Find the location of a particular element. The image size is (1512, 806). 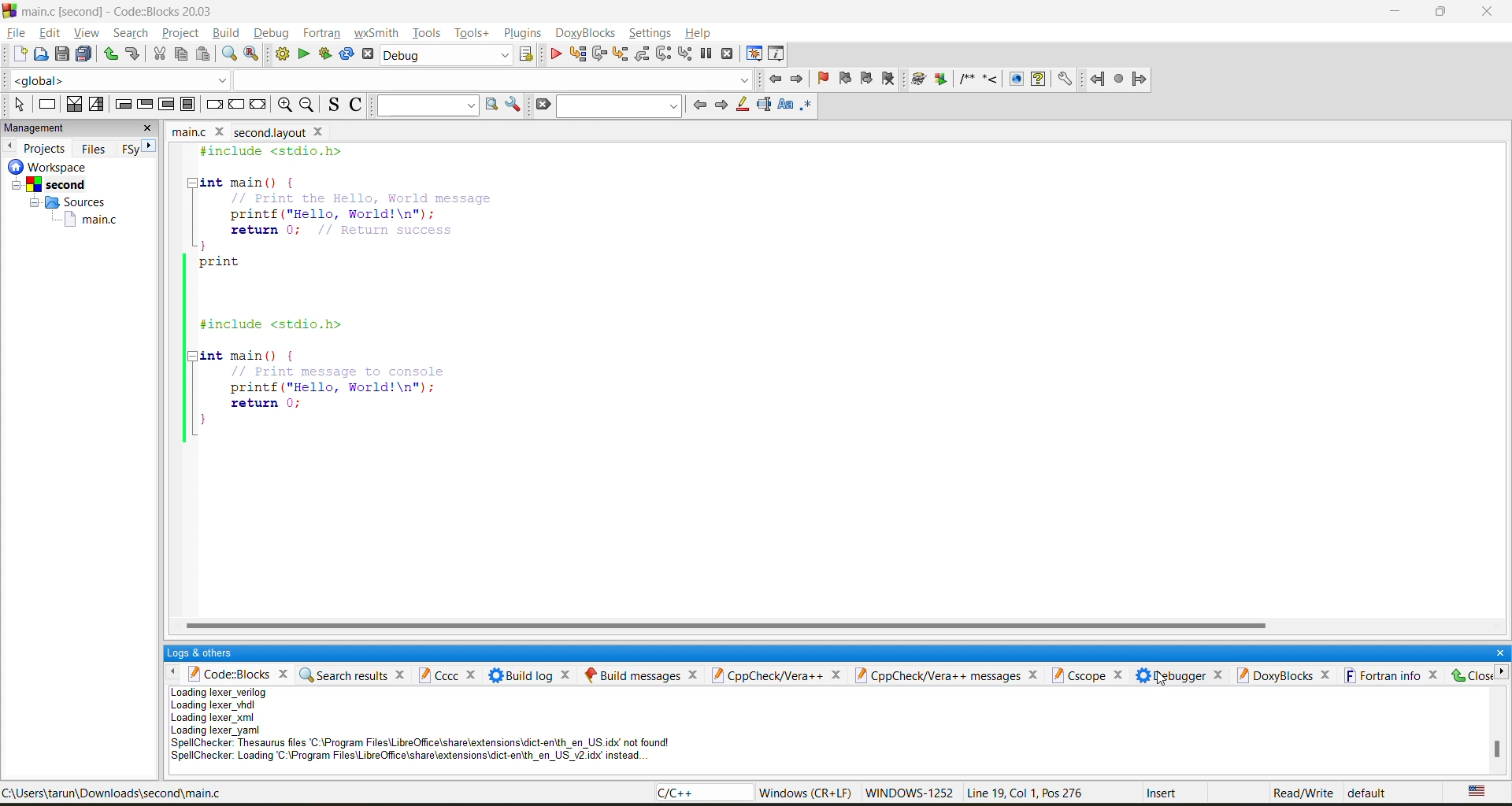

copy is located at coordinates (176, 57).